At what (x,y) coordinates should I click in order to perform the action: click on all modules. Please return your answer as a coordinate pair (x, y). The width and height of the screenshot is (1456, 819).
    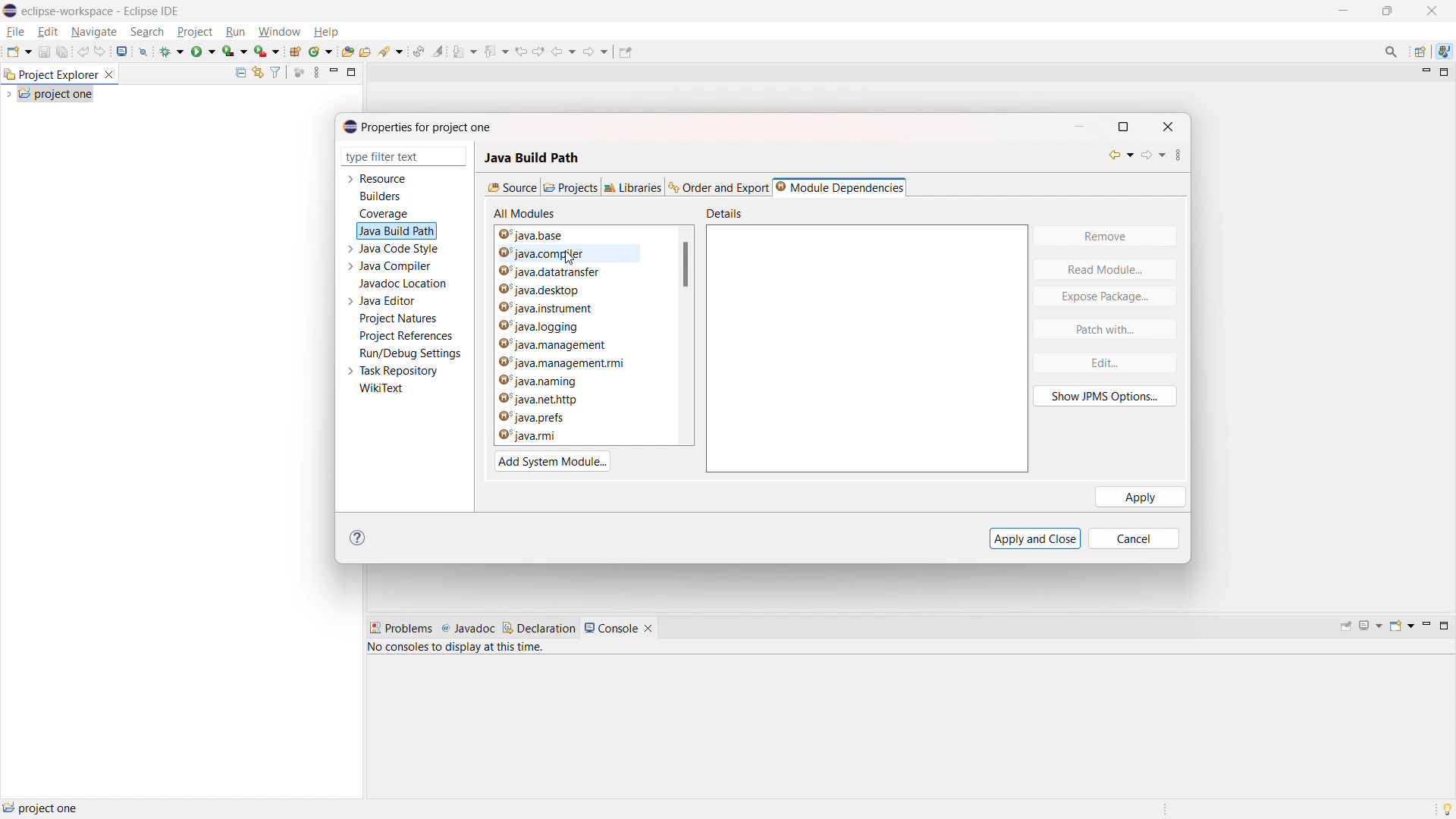
    Looking at the image, I should click on (526, 213).